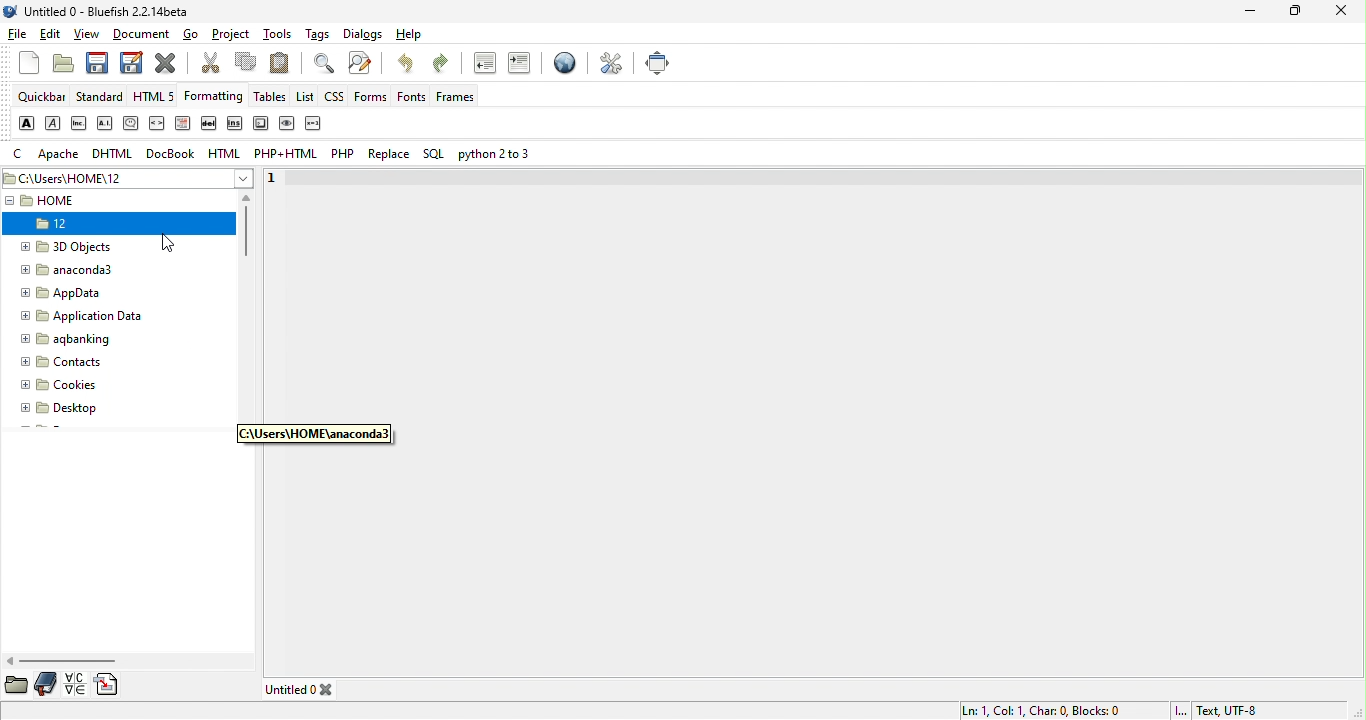 The height and width of the screenshot is (720, 1366). I want to click on 12, so click(67, 226).